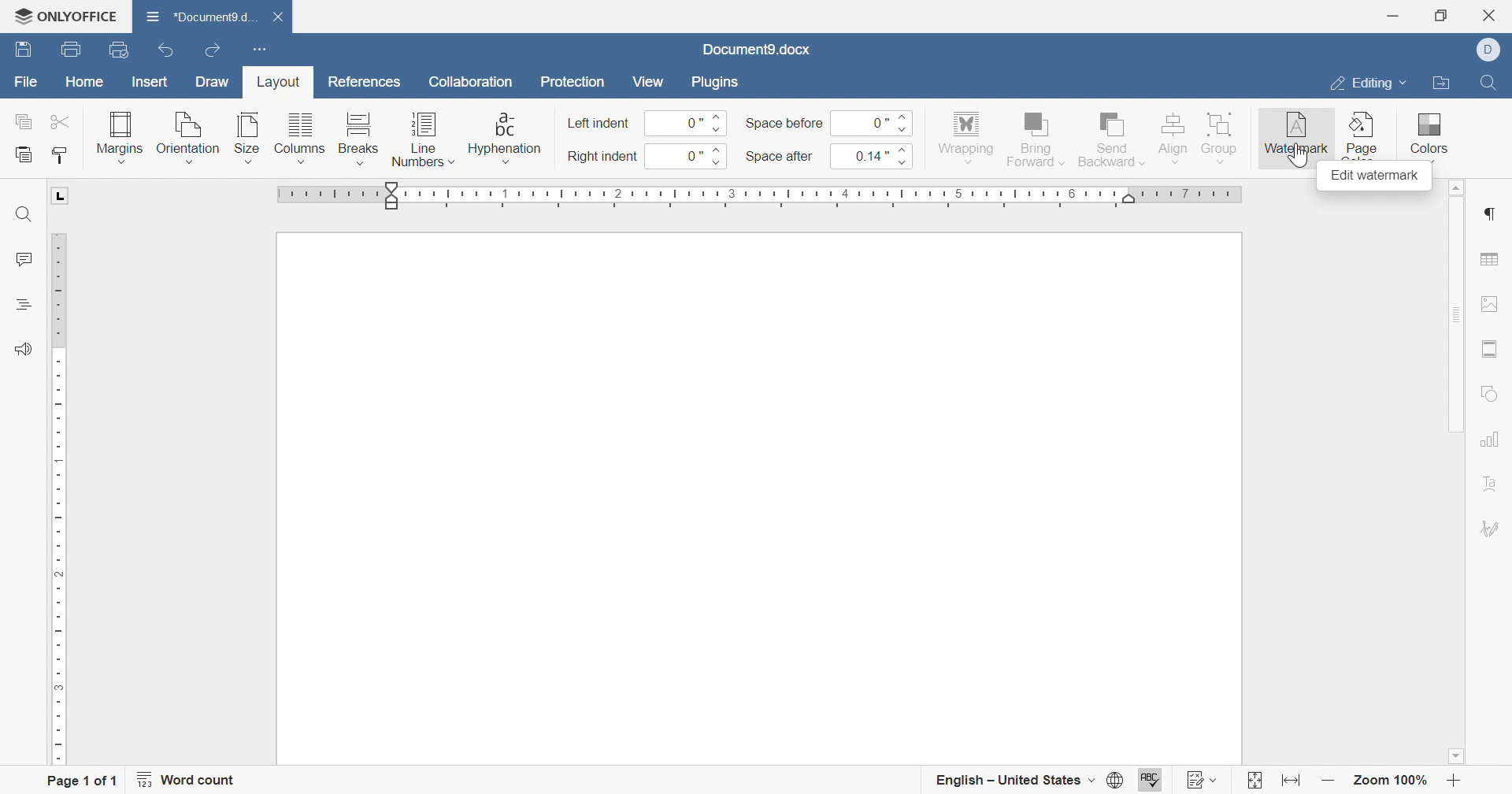 Image resolution: width=1512 pixels, height=794 pixels. What do you see at coordinates (1113, 137) in the screenshot?
I see `send backward` at bounding box center [1113, 137].